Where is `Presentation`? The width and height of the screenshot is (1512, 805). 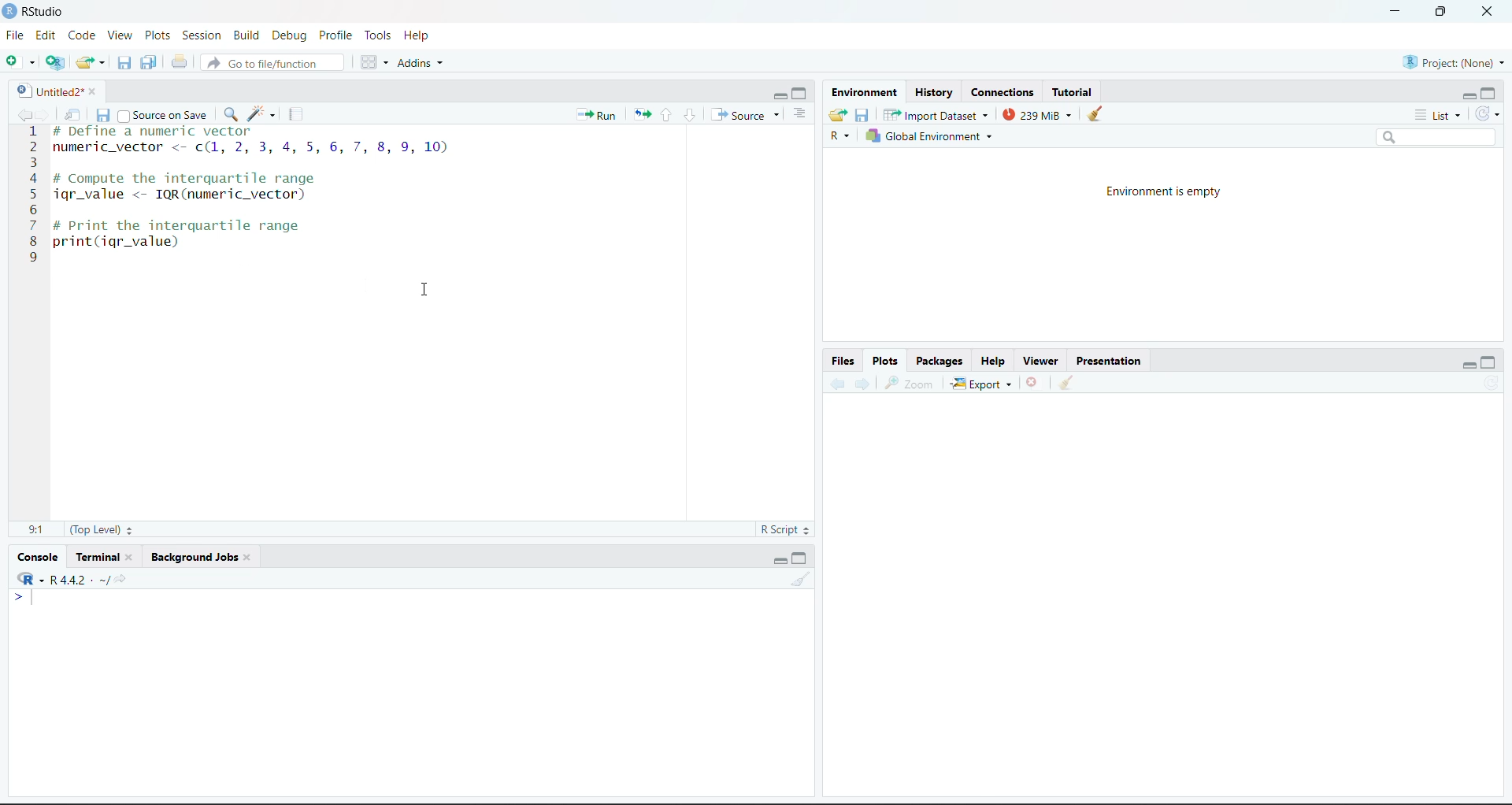 Presentation is located at coordinates (1110, 359).